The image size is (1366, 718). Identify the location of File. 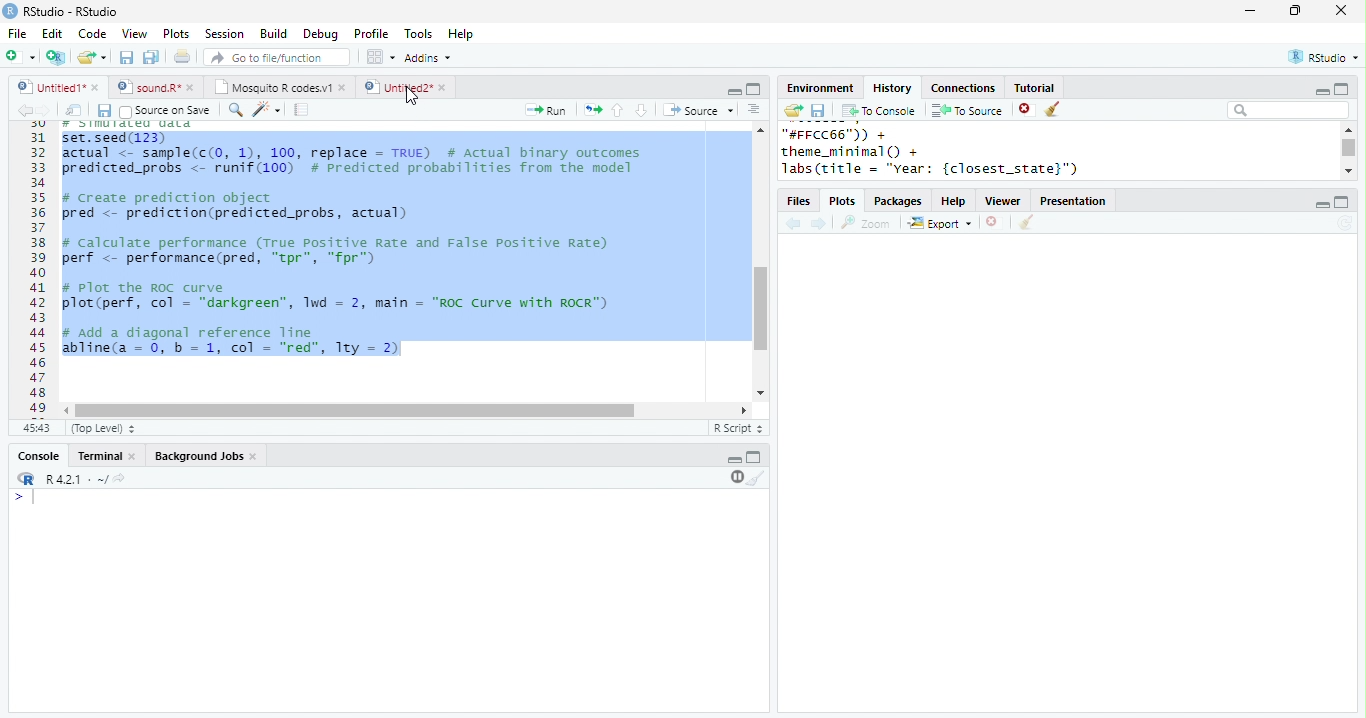
(17, 34).